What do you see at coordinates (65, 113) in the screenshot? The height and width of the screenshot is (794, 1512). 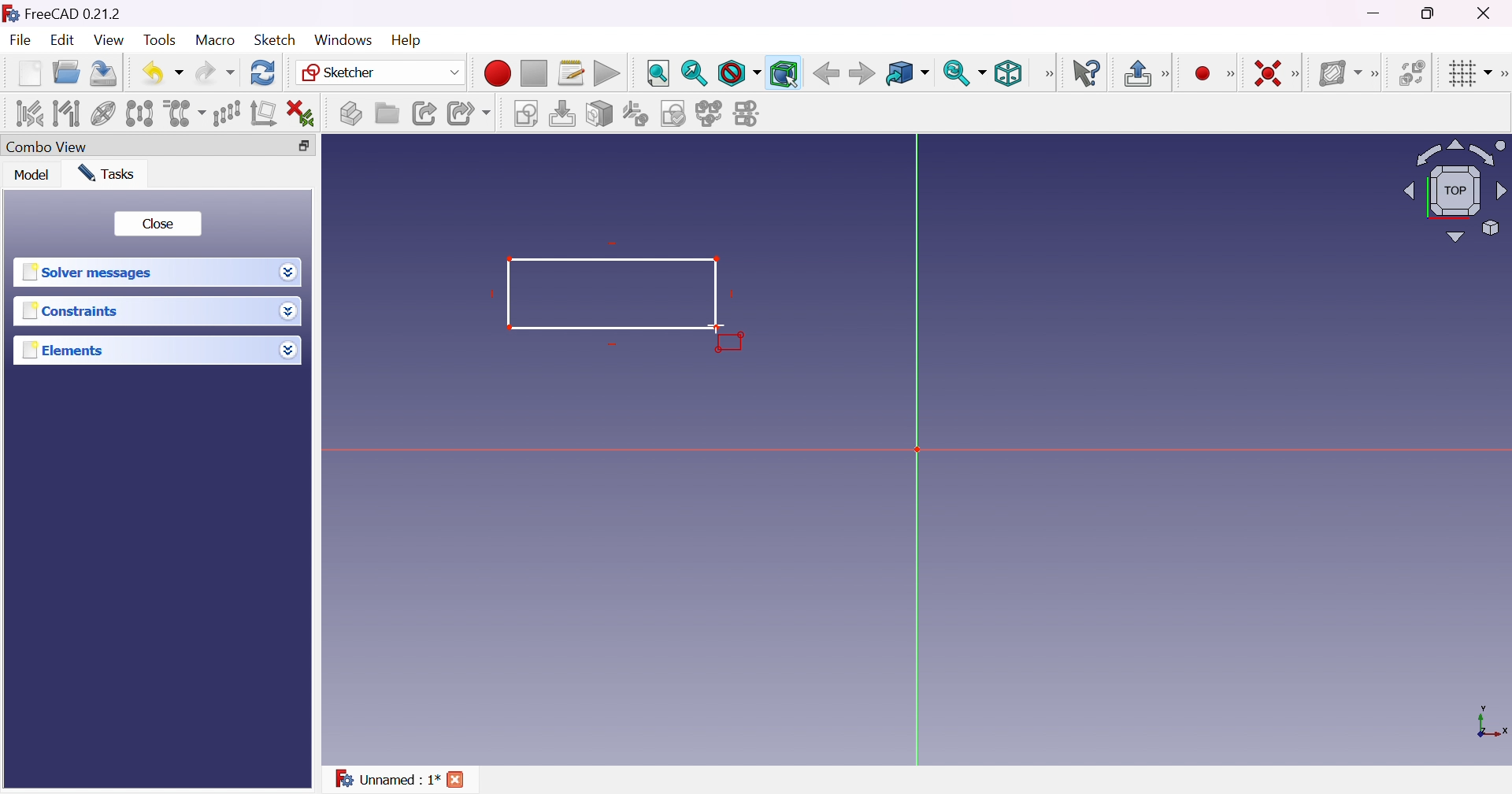 I see `Select associated geometry` at bounding box center [65, 113].